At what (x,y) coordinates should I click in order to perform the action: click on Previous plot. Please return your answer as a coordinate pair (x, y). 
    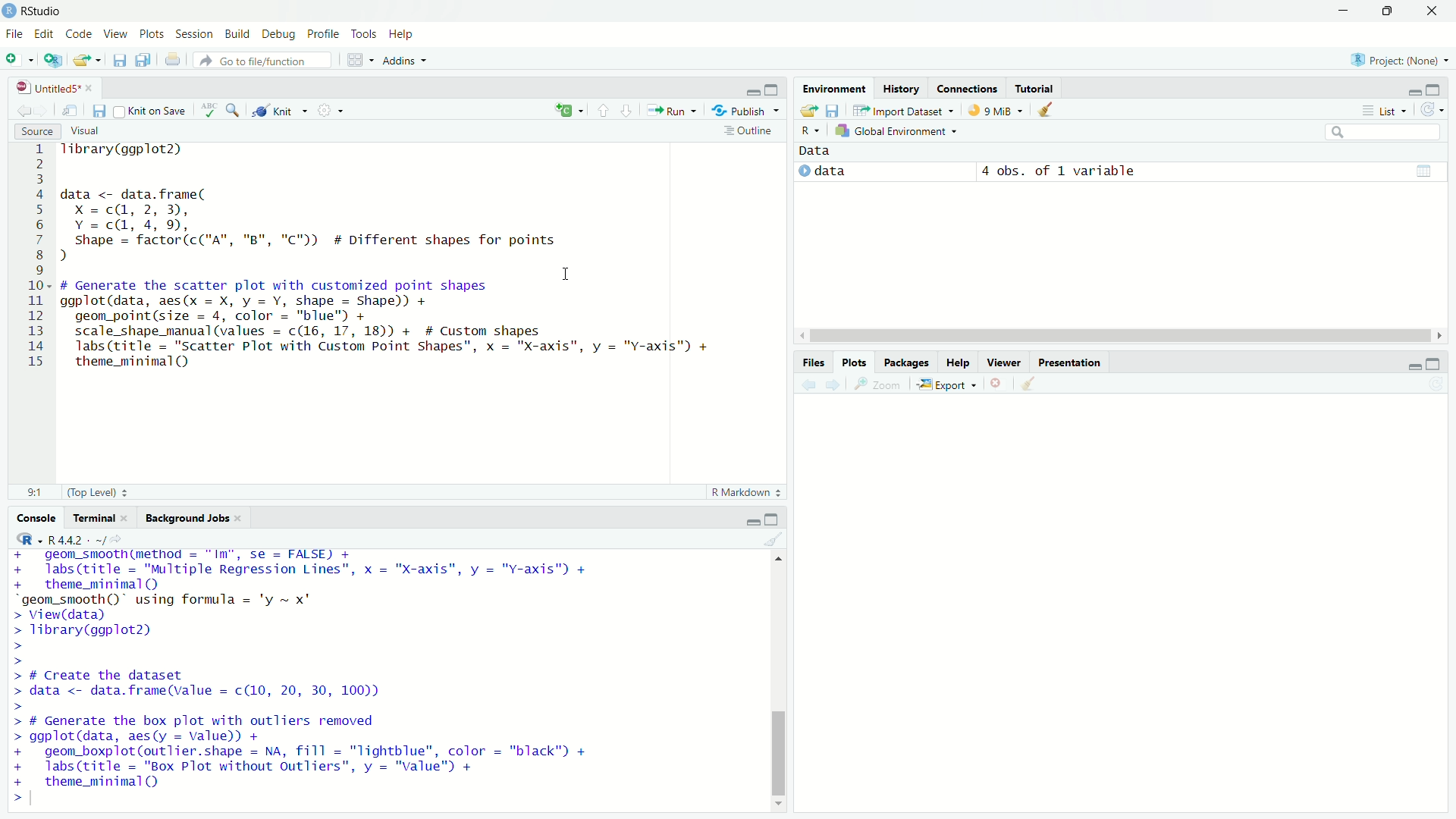
    Looking at the image, I should click on (808, 383).